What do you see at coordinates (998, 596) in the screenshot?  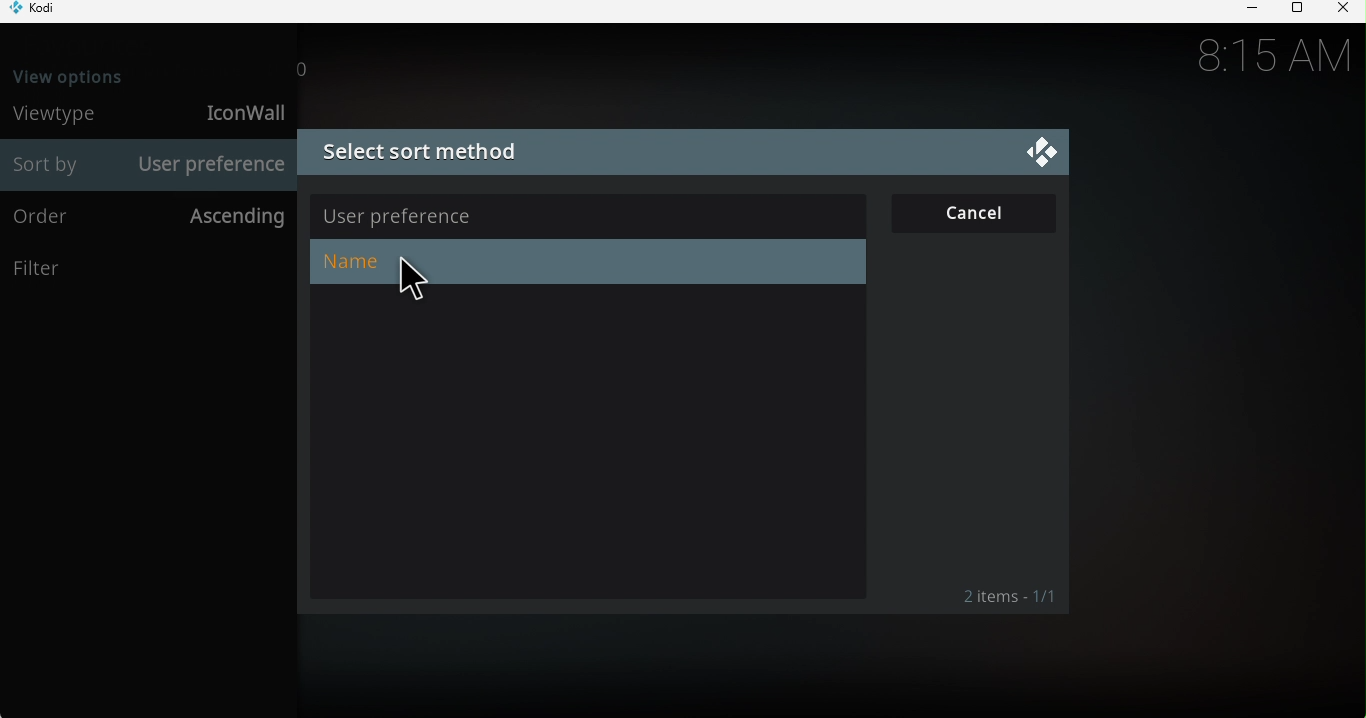 I see `Items` at bounding box center [998, 596].